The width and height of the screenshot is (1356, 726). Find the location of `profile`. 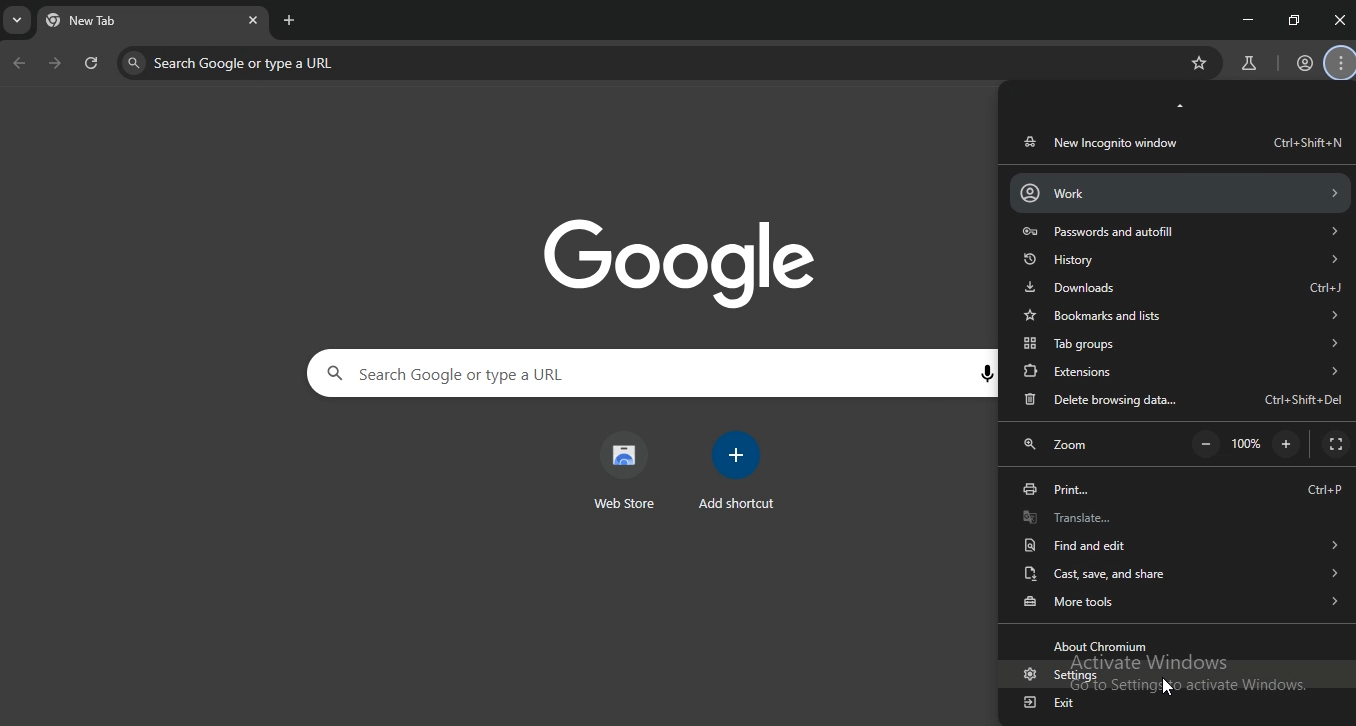

profile is located at coordinates (1305, 64).